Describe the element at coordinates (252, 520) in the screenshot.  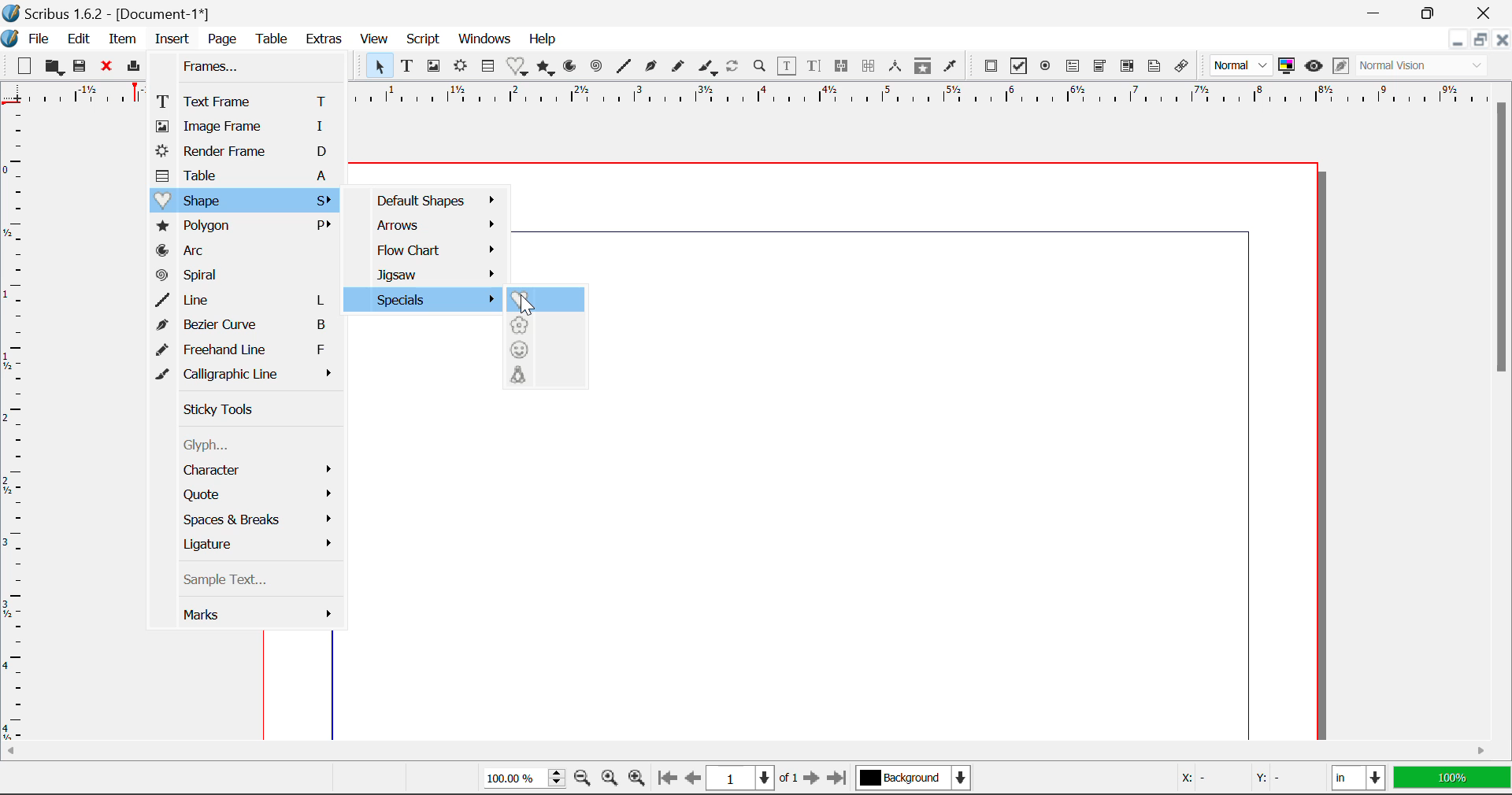
I see `Space & breaks` at that location.